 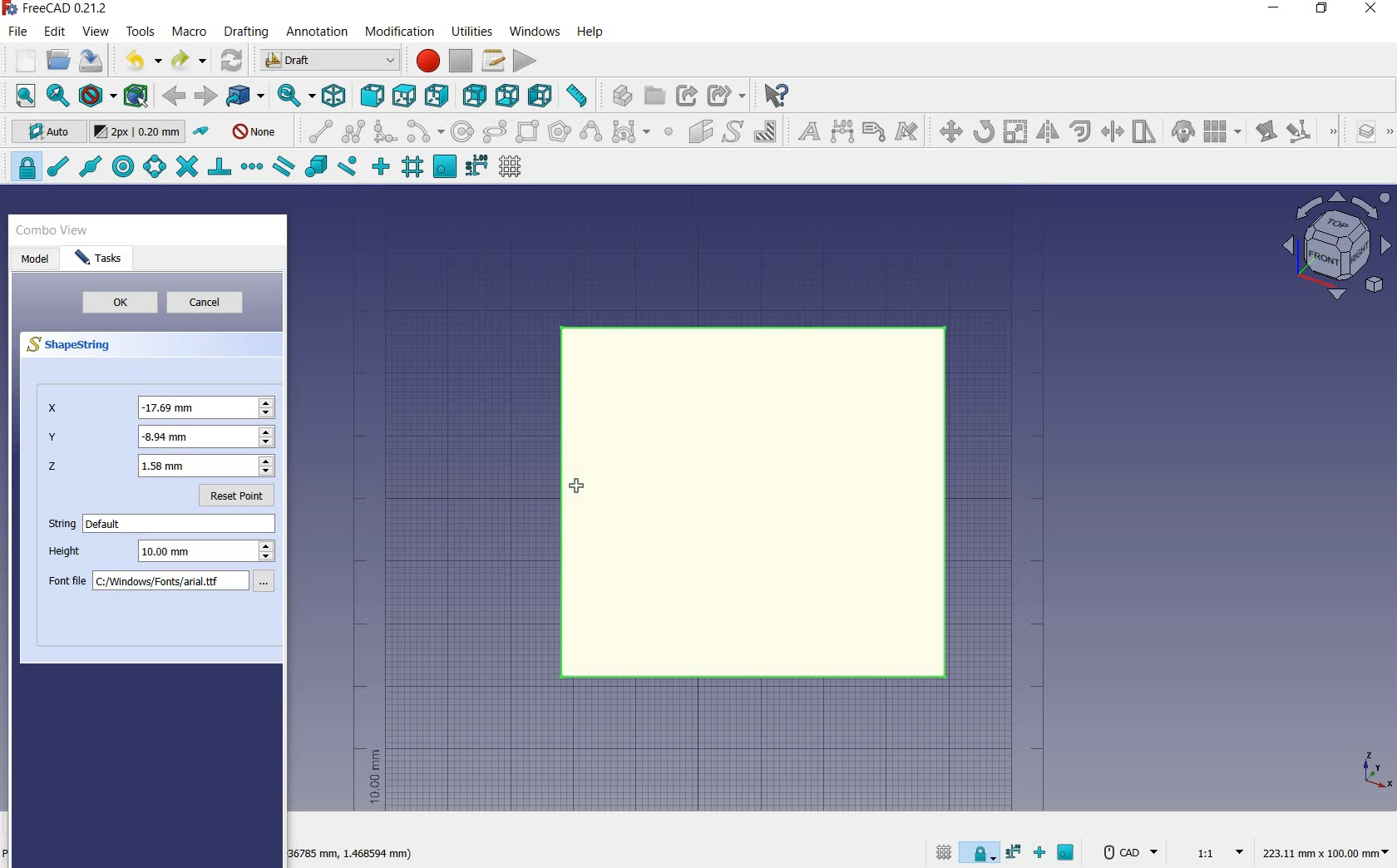 I want to click on shape from text, so click(x=732, y=131).